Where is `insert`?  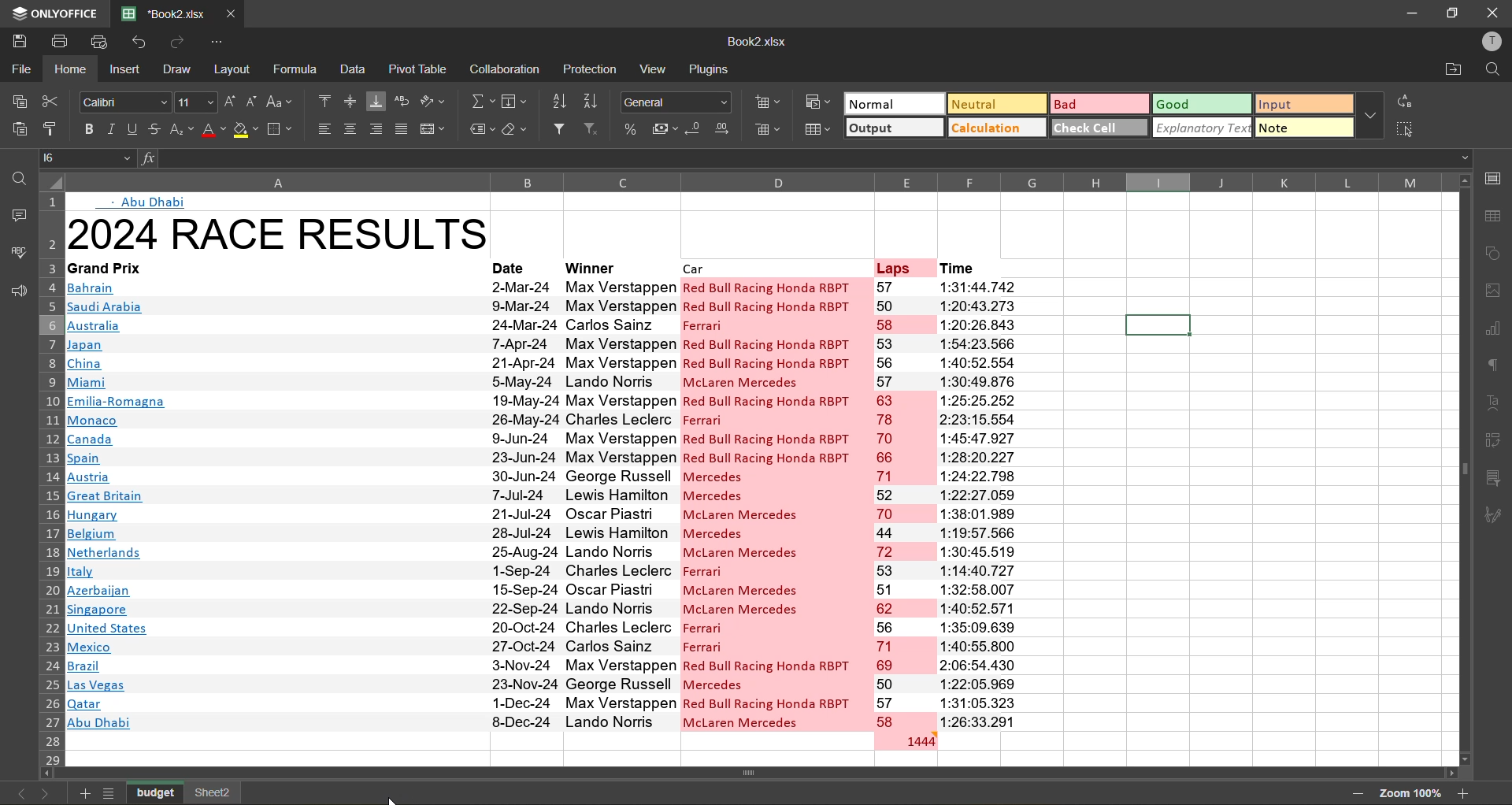
insert is located at coordinates (124, 69).